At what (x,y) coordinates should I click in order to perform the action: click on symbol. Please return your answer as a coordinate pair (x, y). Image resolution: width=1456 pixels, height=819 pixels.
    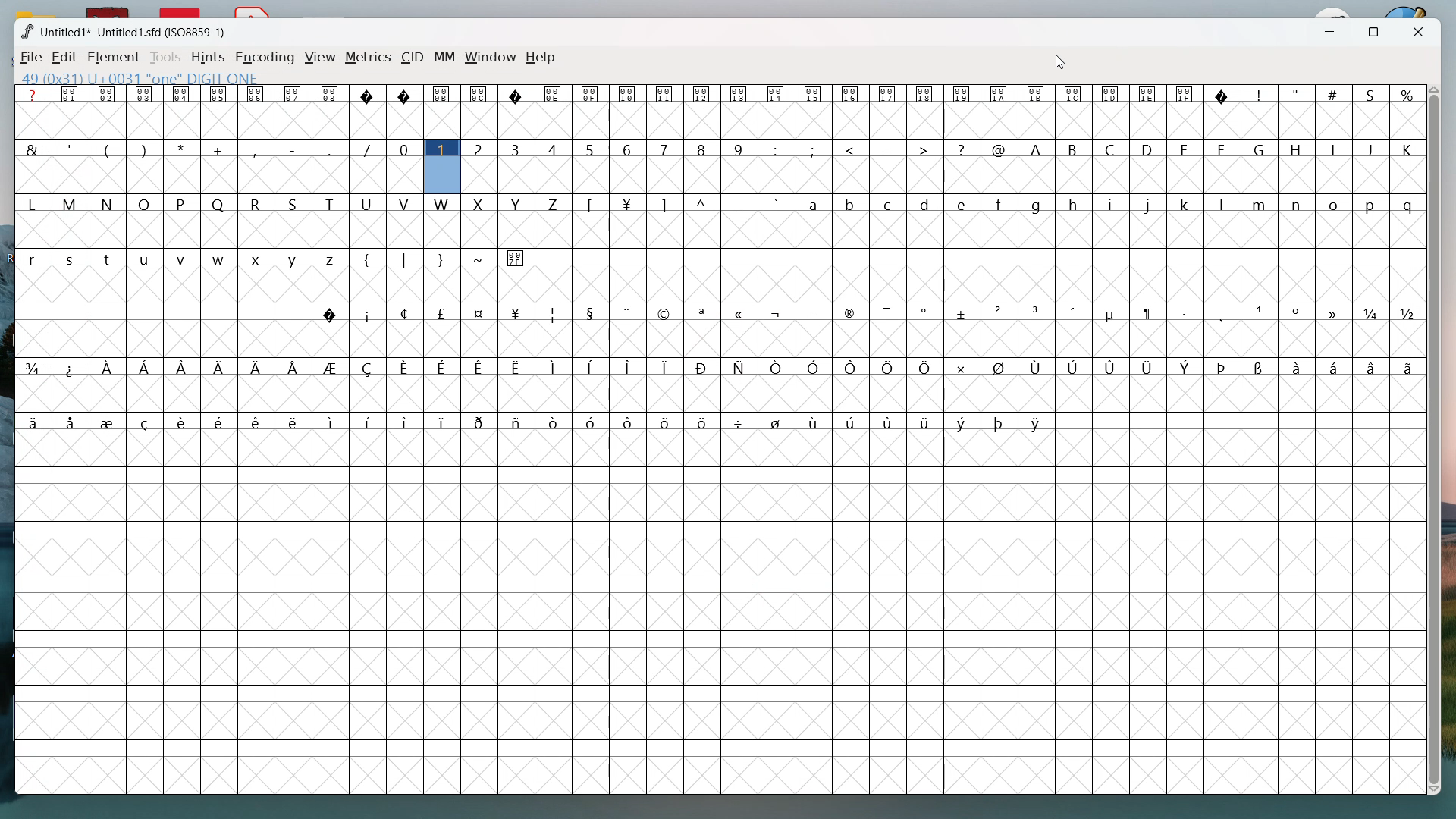
    Looking at the image, I should click on (185, 423).